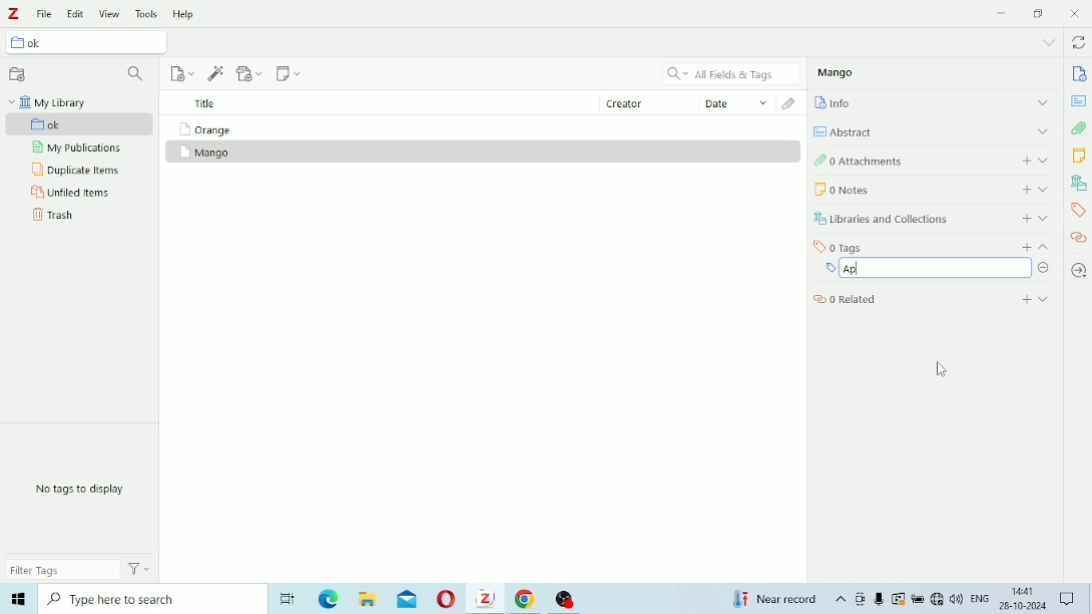  Describe the element at coordinates (931, 218) in the screenshot. I see `Libraries and Collections` at that location.